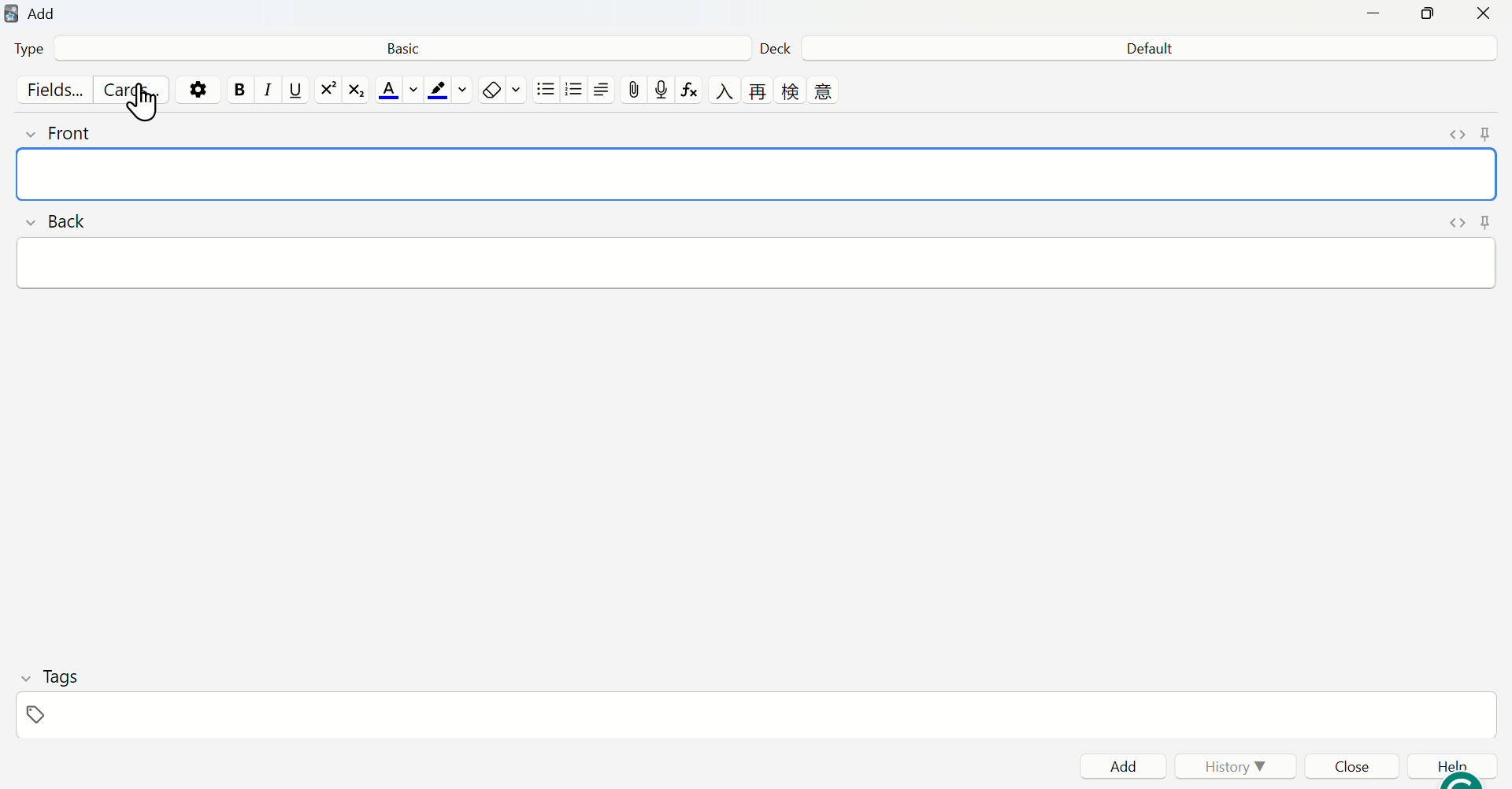 Image resolution: width=1512 pixels, height=789 pixels. What do you see at coordinates (758, 173) in the screenshot?
I see `Front` at bounding box center [758, 173].